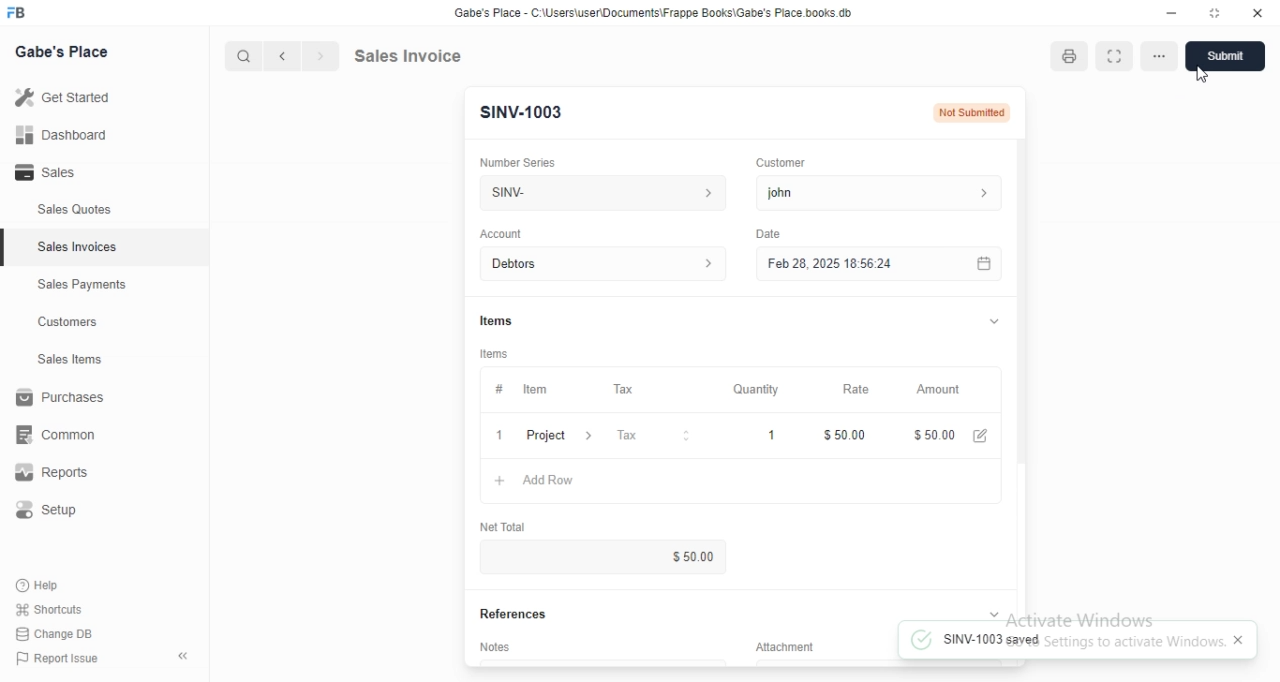  What do you see at coordinates (768, 232) in the screenshot?
I see `Date` at bounding box center [768, 232].